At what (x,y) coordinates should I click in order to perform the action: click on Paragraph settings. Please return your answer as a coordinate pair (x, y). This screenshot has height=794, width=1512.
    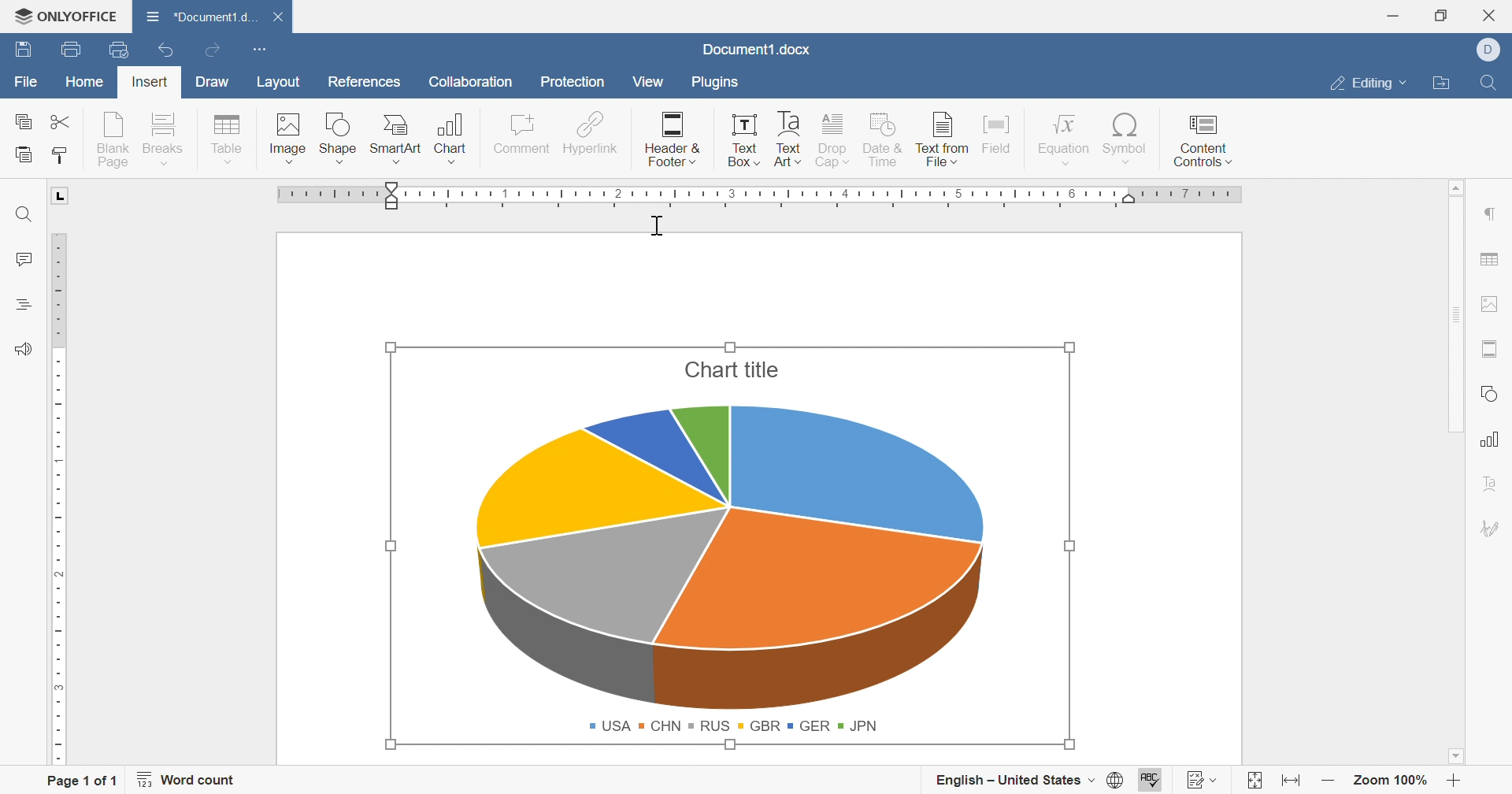
    Looking at the image, I should click on (1495, 214).